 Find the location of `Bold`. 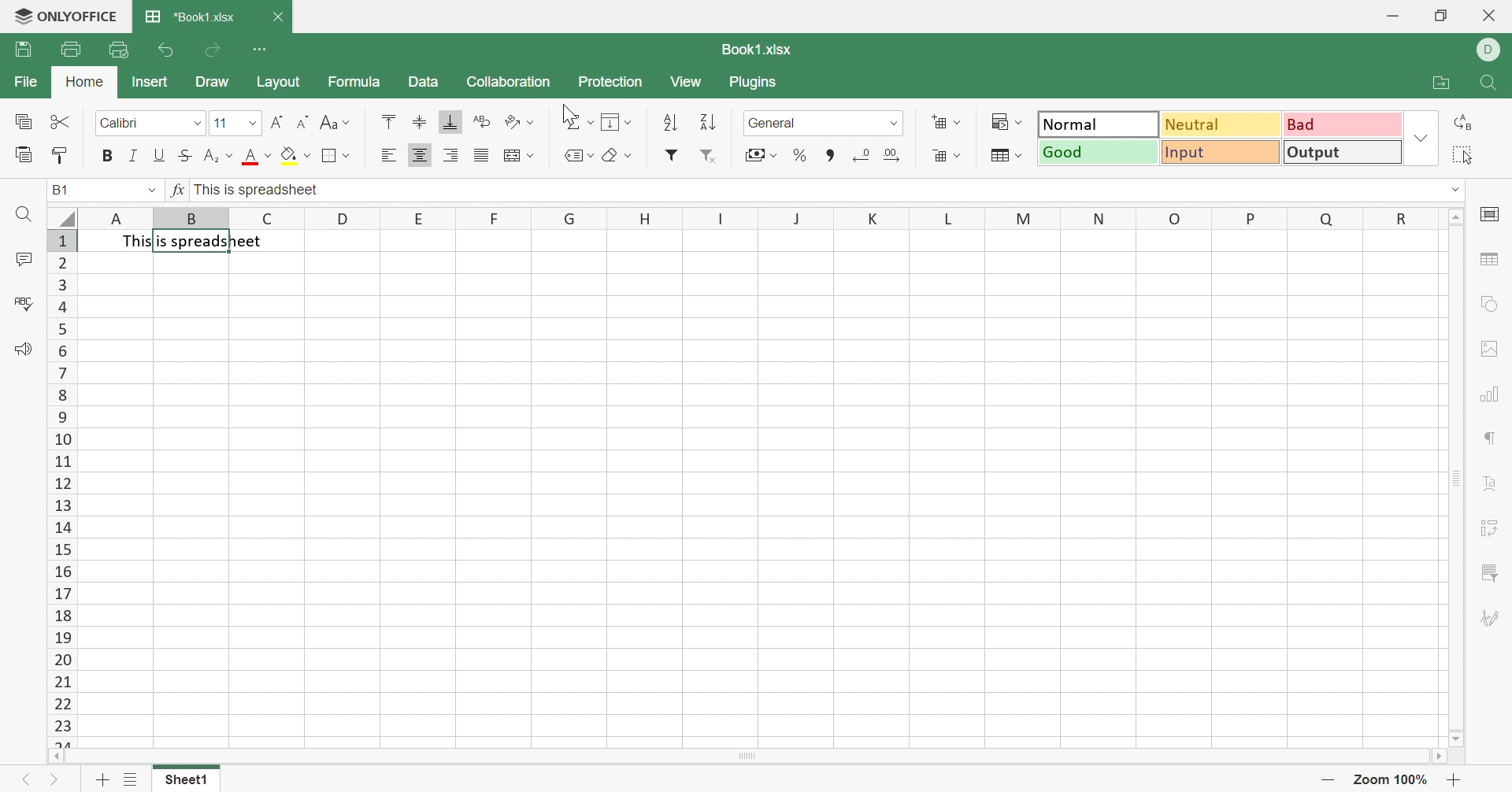

Bold is located at coordinates (108, 156).